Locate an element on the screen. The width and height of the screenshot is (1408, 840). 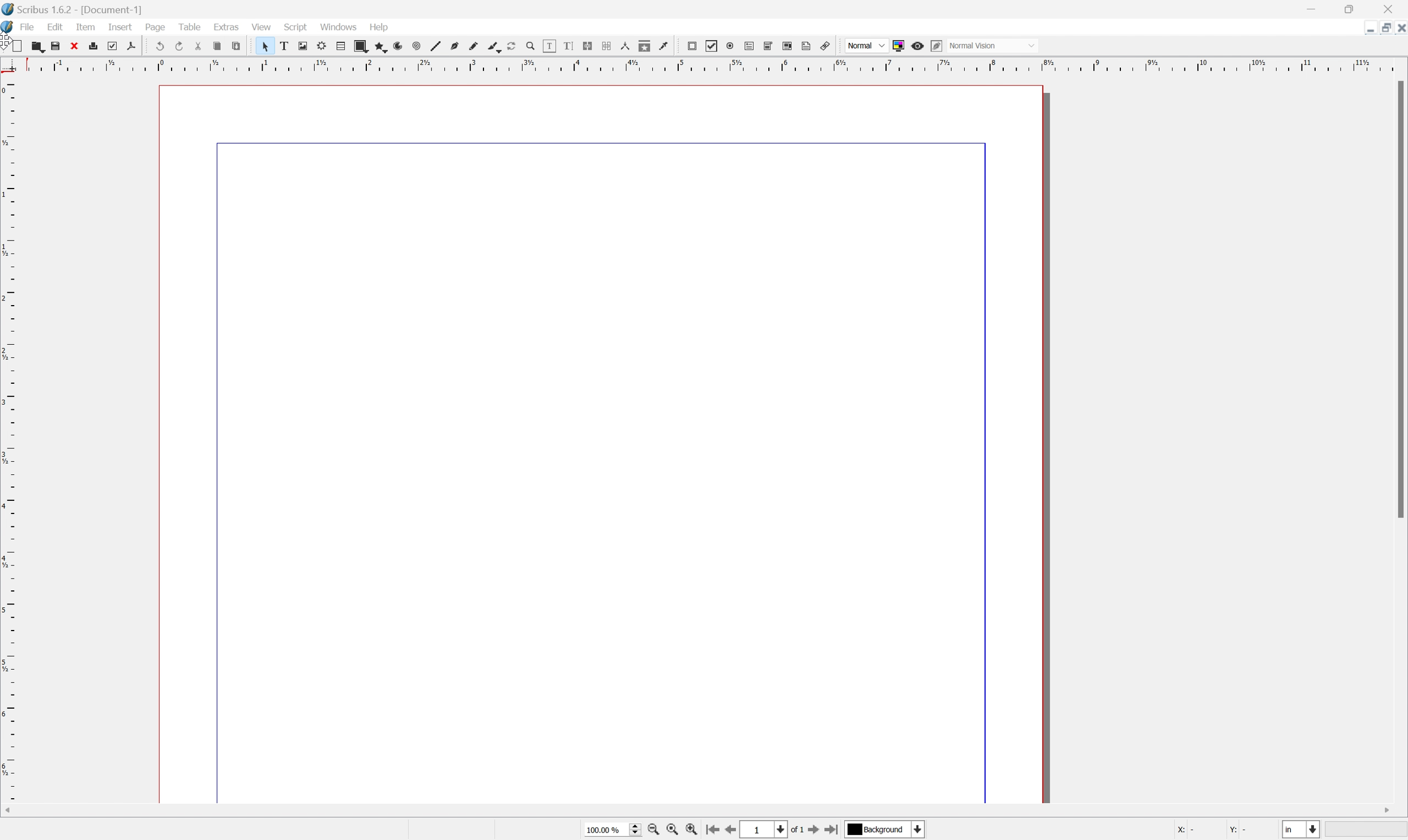
open is located at coordinates (38, 46).